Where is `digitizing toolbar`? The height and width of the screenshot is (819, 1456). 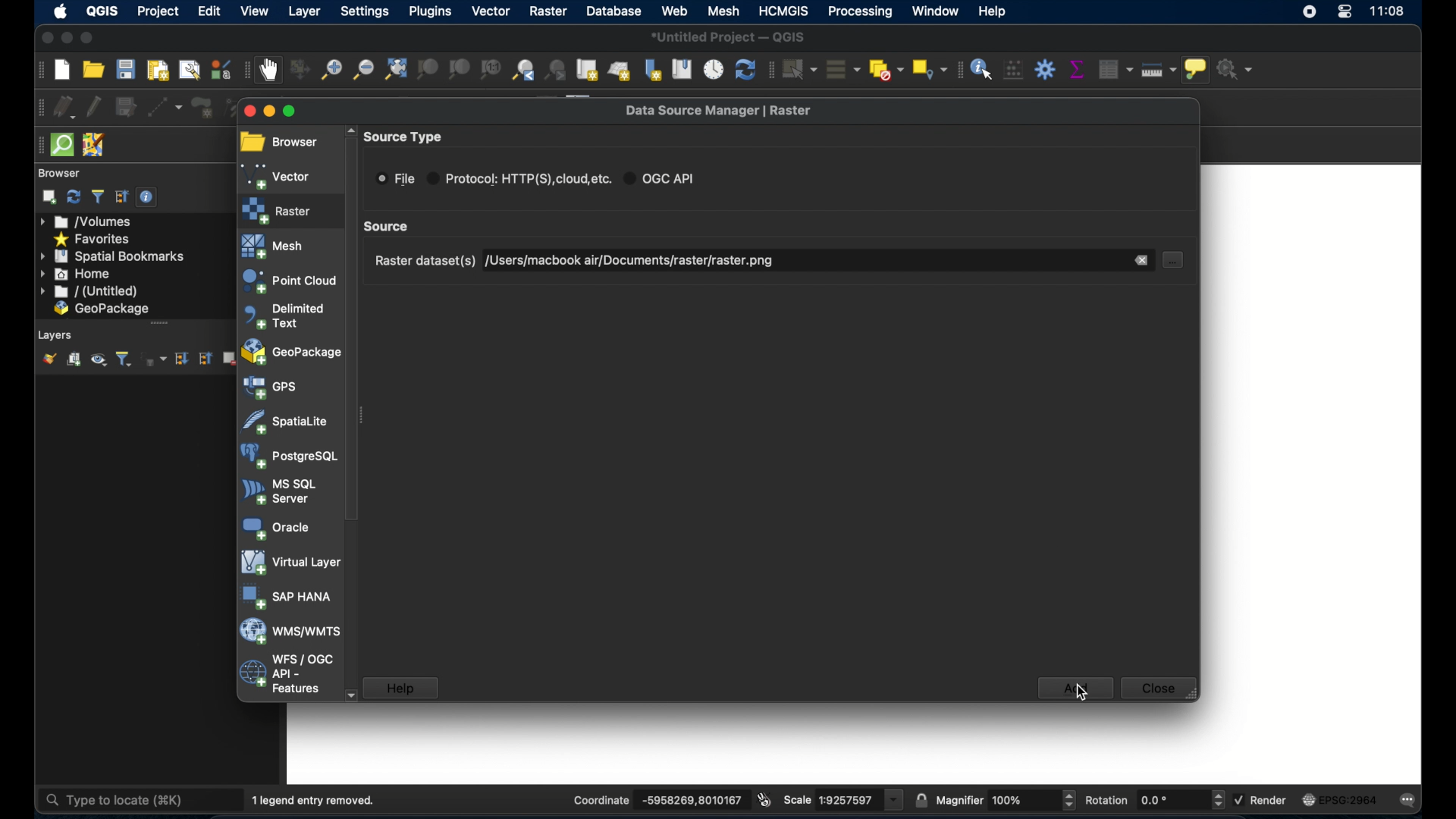
digitizing toolbar is located at coordinates (36, 108).